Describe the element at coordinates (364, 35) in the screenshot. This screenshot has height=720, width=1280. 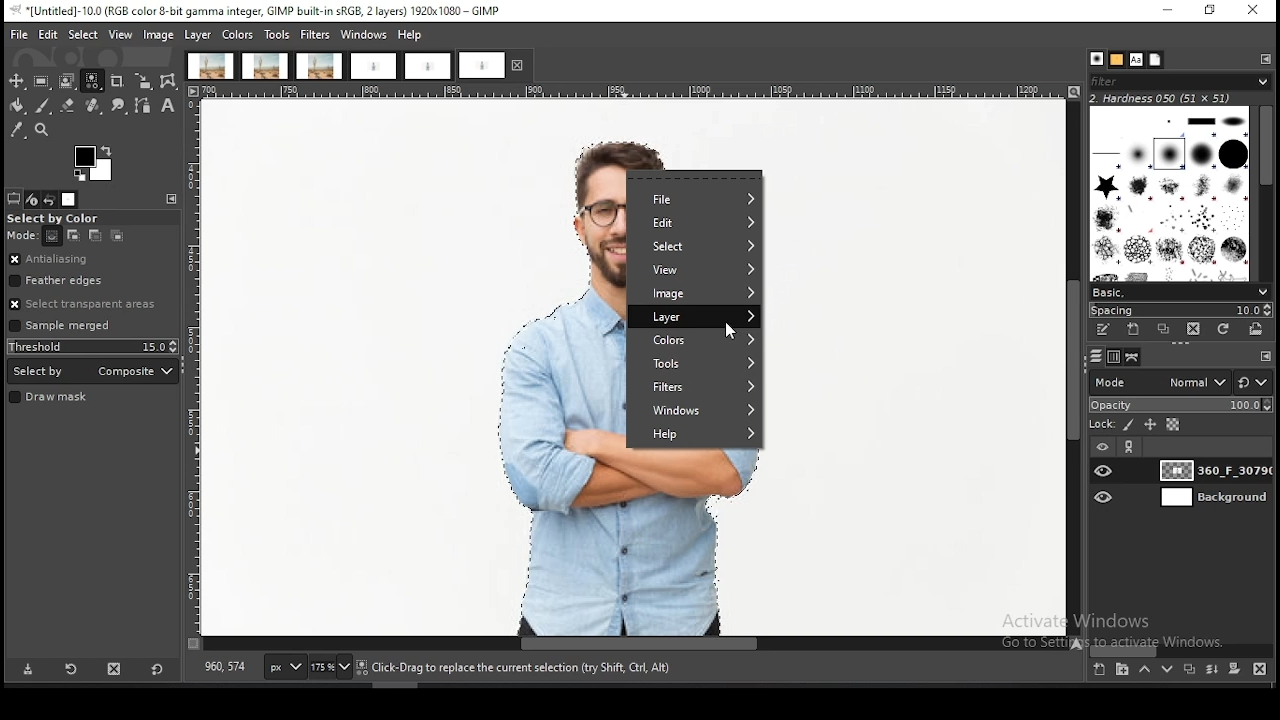
I see `windows` at that location.